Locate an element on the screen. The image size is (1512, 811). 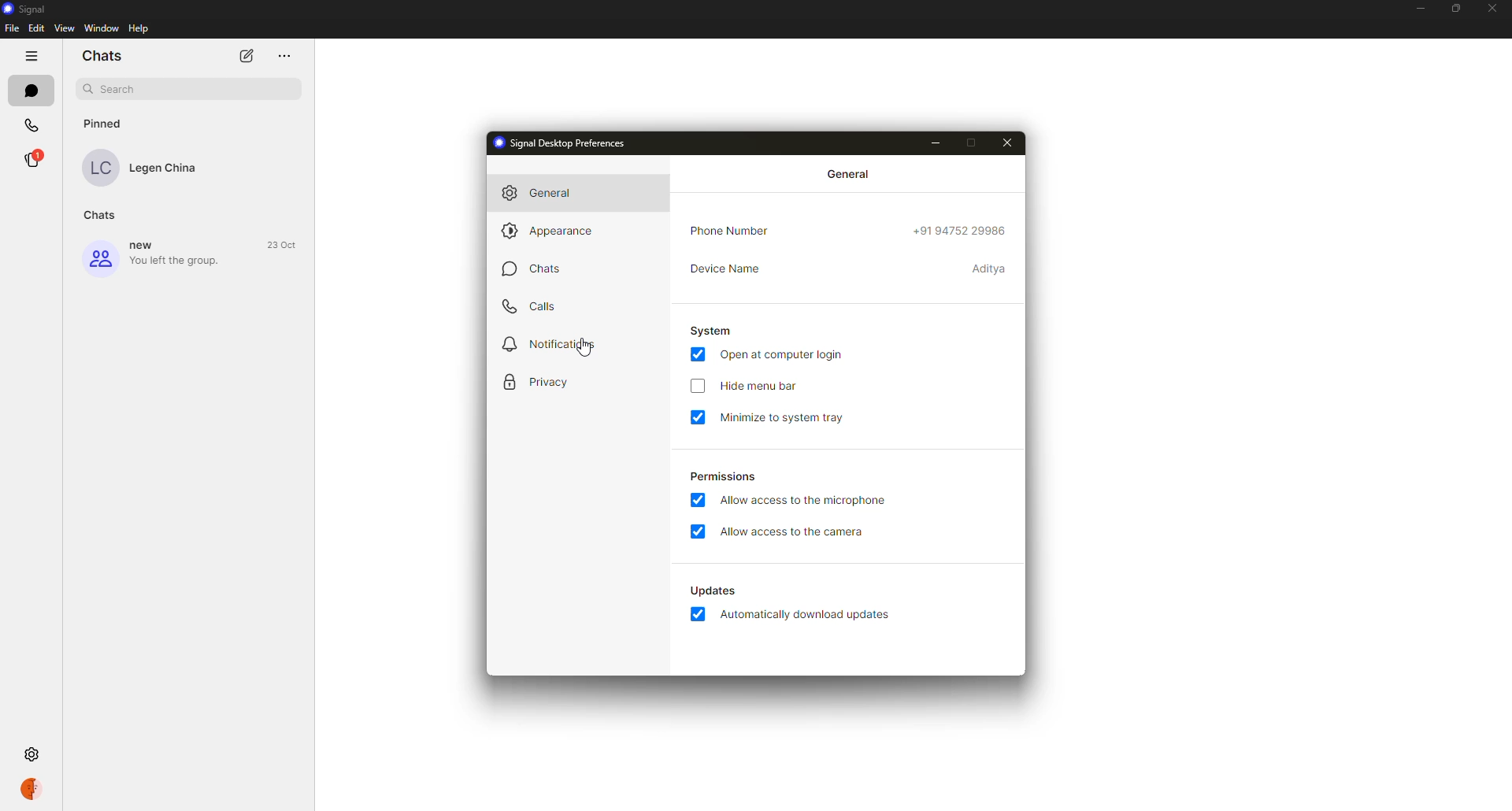
name is located at coordinates (990, 268).